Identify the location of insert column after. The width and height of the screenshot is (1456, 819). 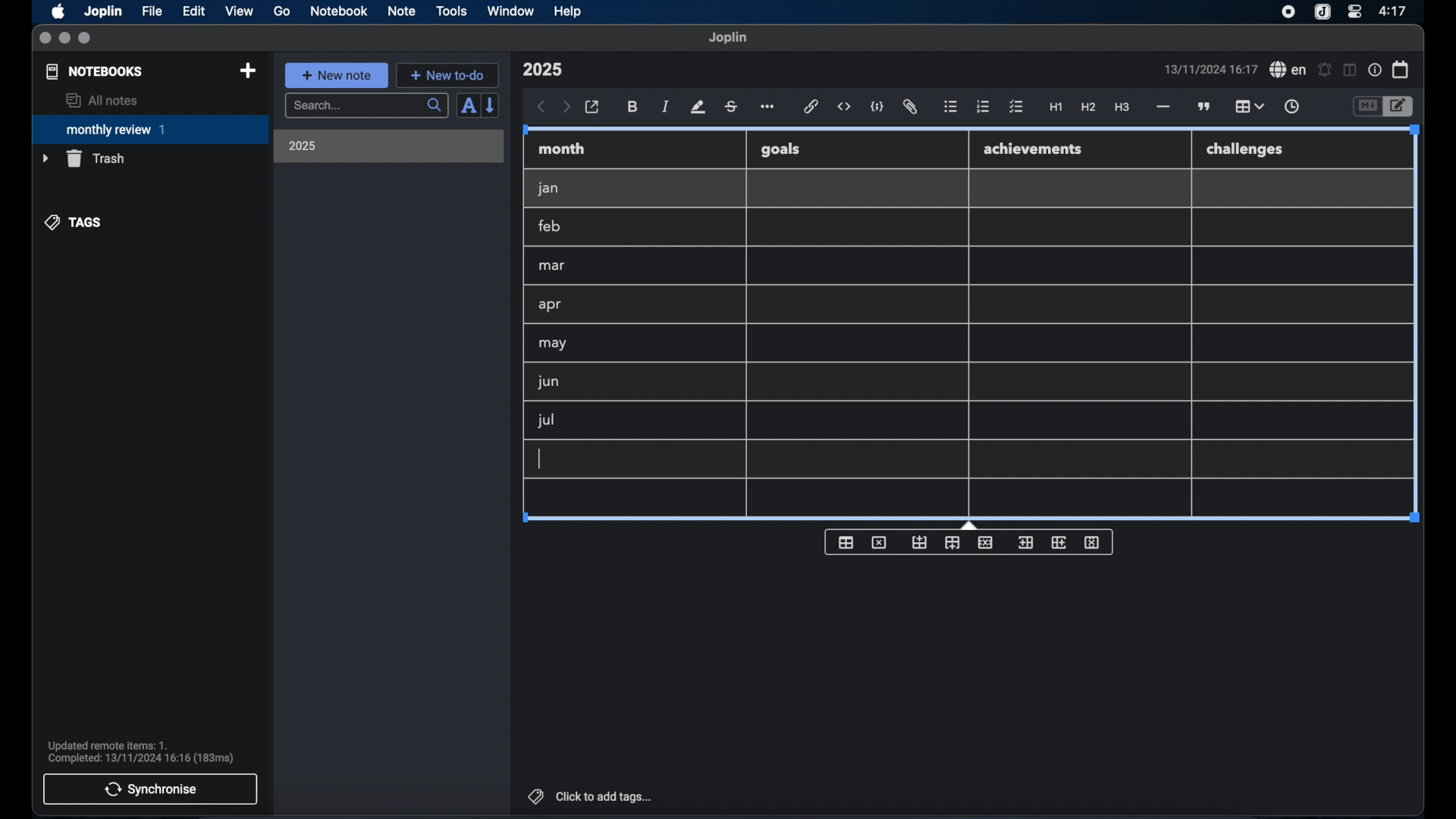
(1059, 542).